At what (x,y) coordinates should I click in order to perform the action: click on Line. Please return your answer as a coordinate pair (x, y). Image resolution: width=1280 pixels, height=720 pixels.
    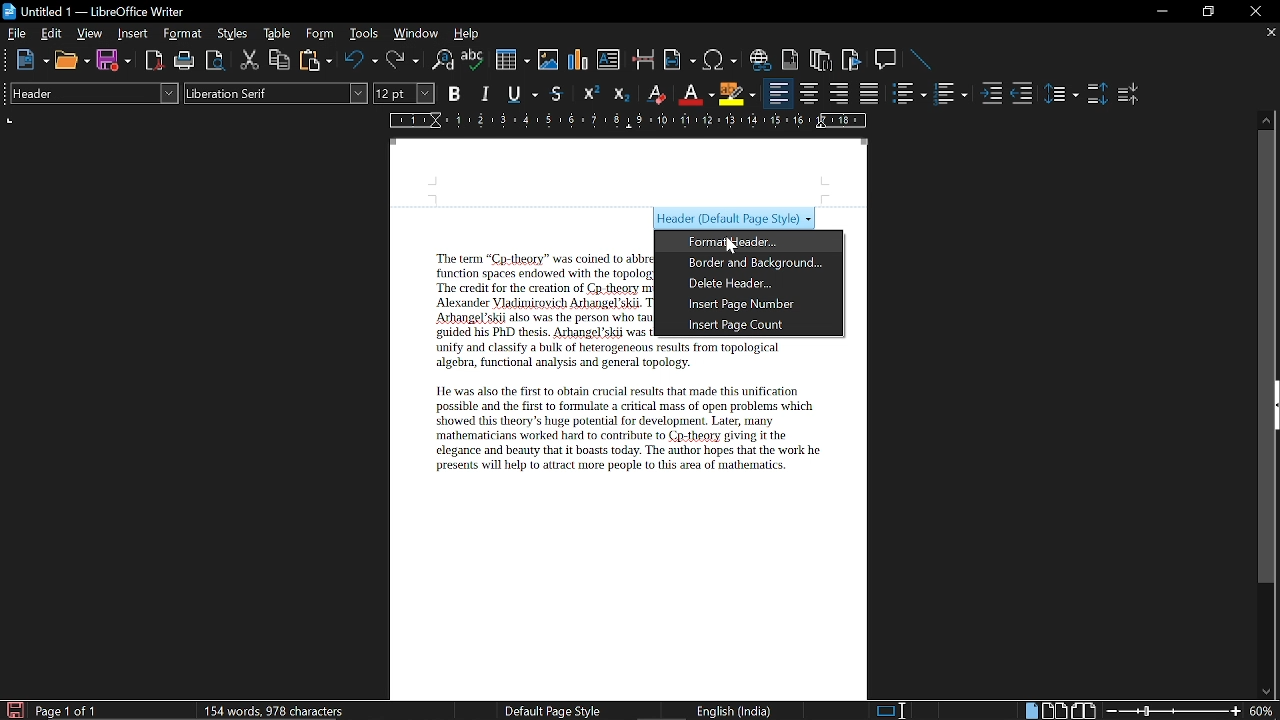
    Looking at the image, I should click on (922, 61).